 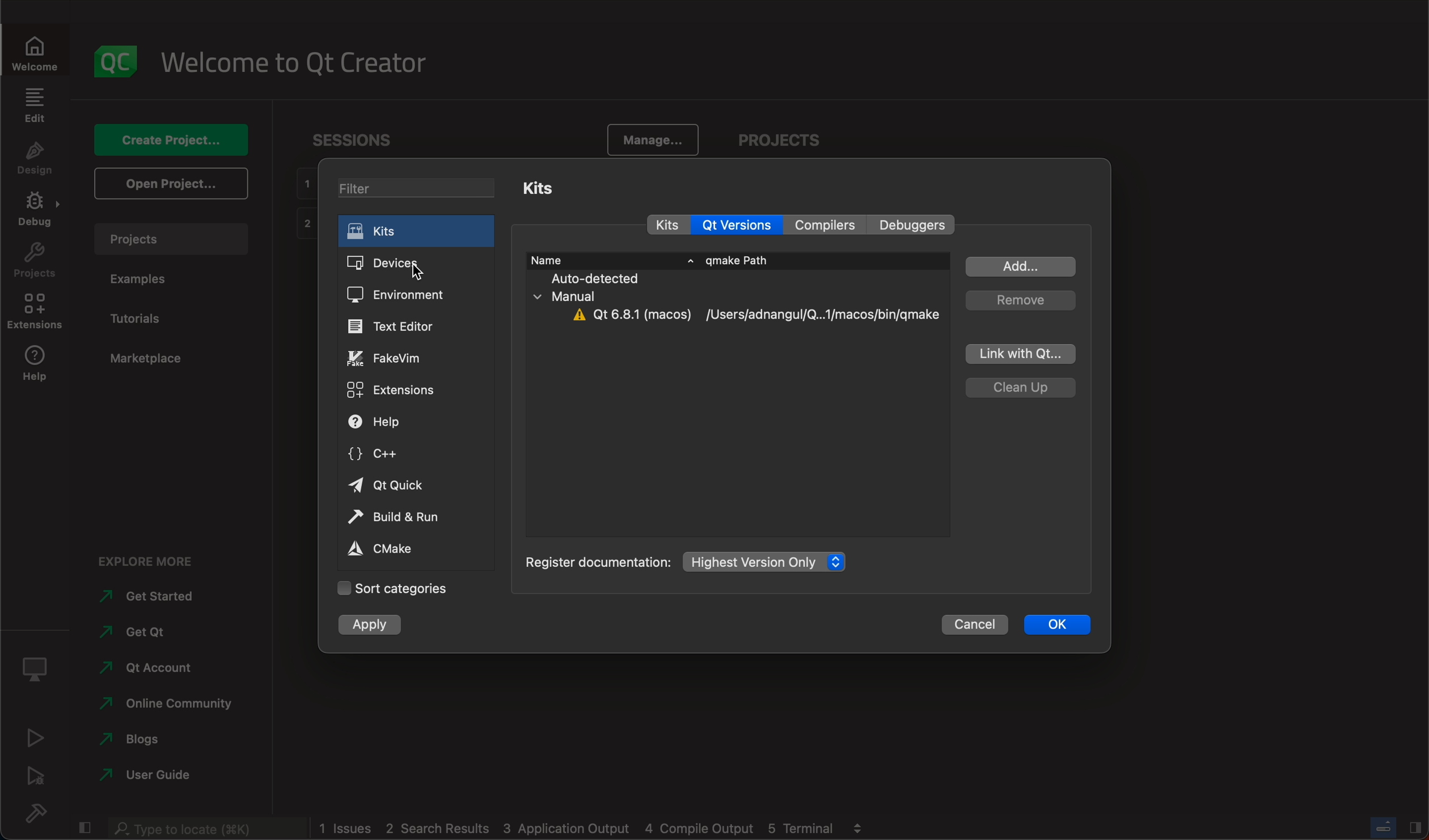 What do you see at coordinates (576, 828) in the screenshot?
I see `1 issues 2 search results 3 application output 4 compile output 5 terminal` at bounding box center [576, 828].